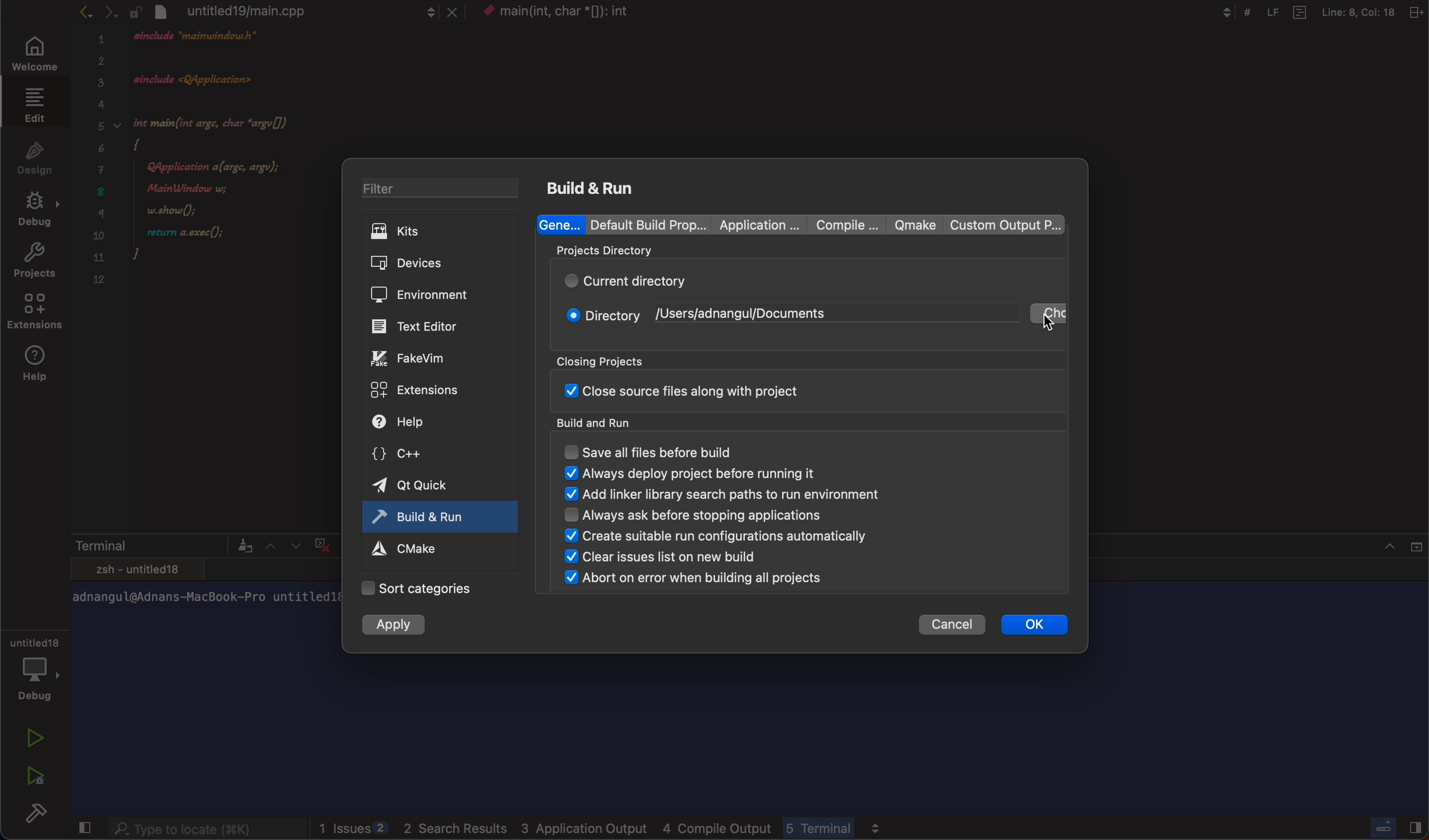  Describe the element at coordinates (35, 734) in the screenshot. I see `run` at that location.